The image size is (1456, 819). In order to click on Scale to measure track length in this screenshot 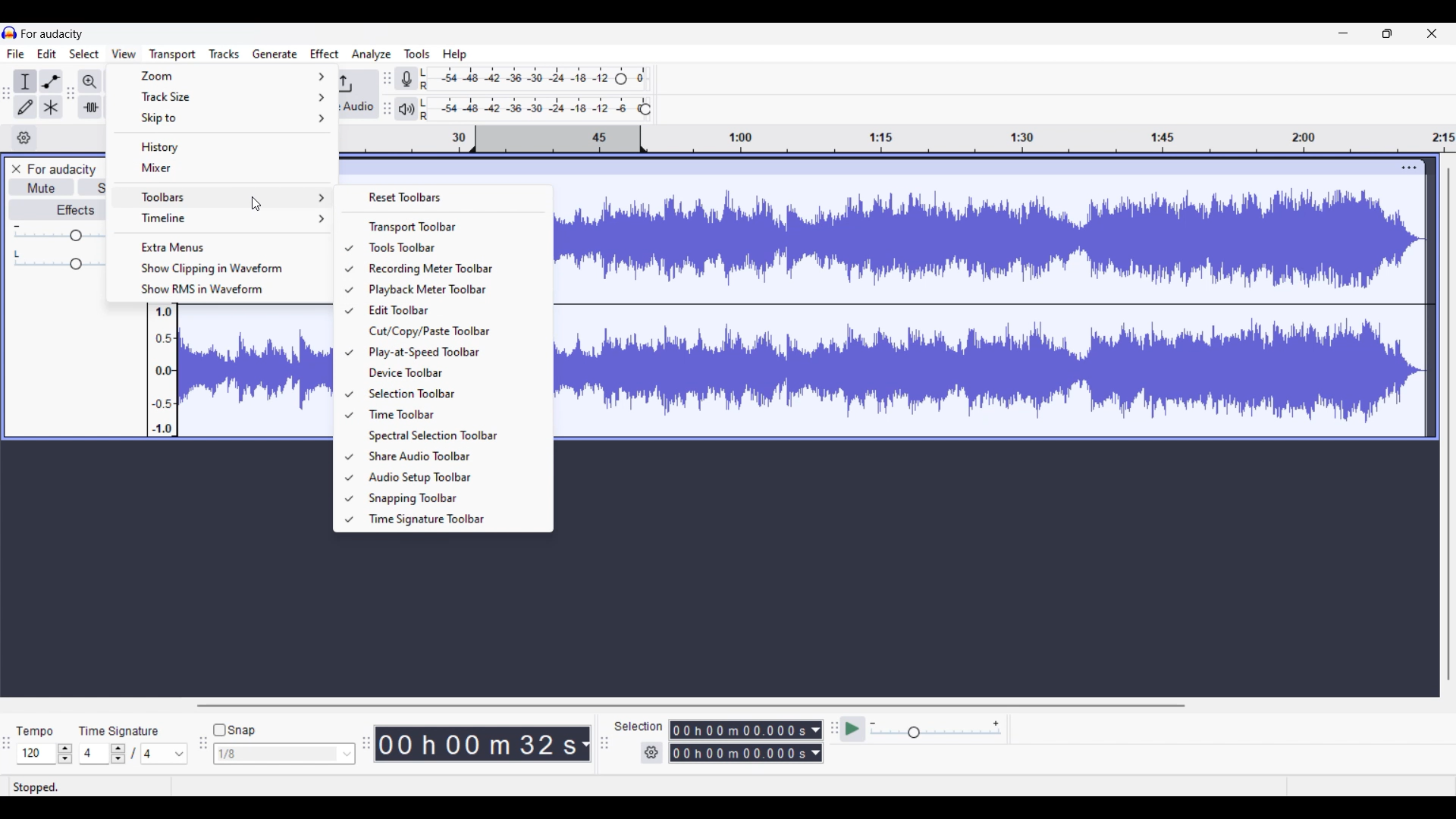, I will do `click(898, 139)`.